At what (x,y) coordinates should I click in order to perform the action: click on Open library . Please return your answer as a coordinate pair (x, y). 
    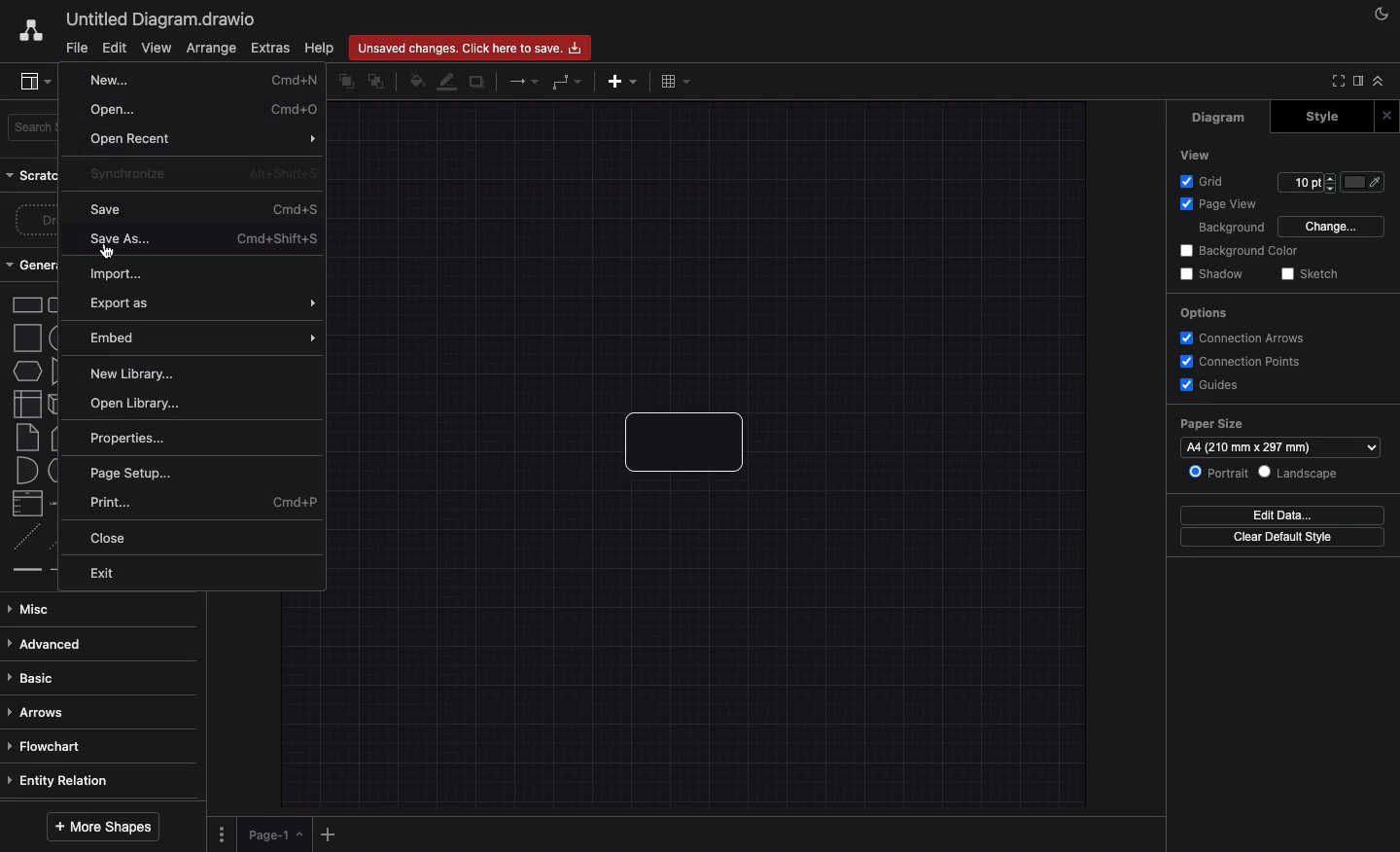
    Looking at the image, I should click on (144, 407).